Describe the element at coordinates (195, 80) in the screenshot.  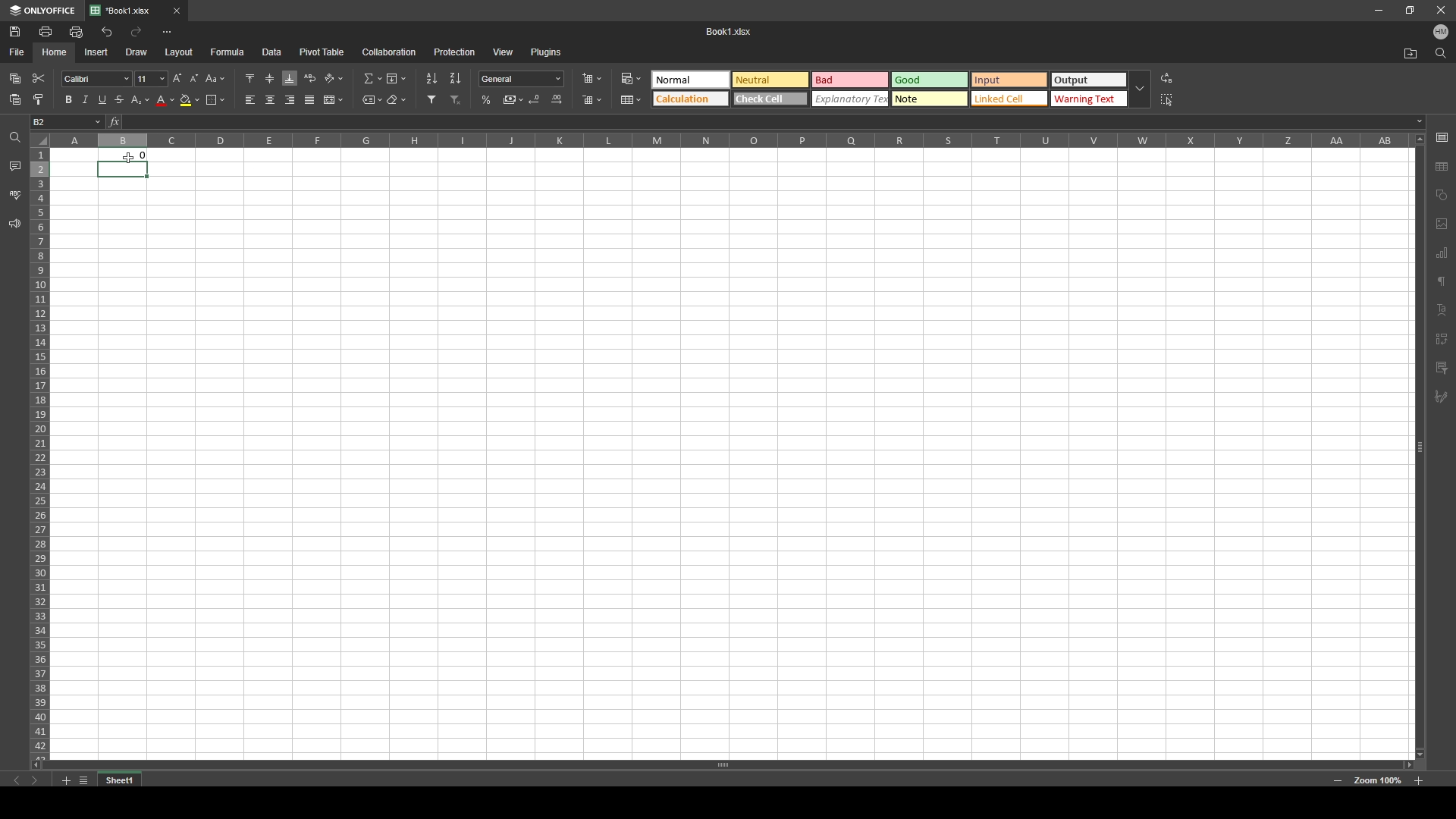
I see `decrement font size` at that location.